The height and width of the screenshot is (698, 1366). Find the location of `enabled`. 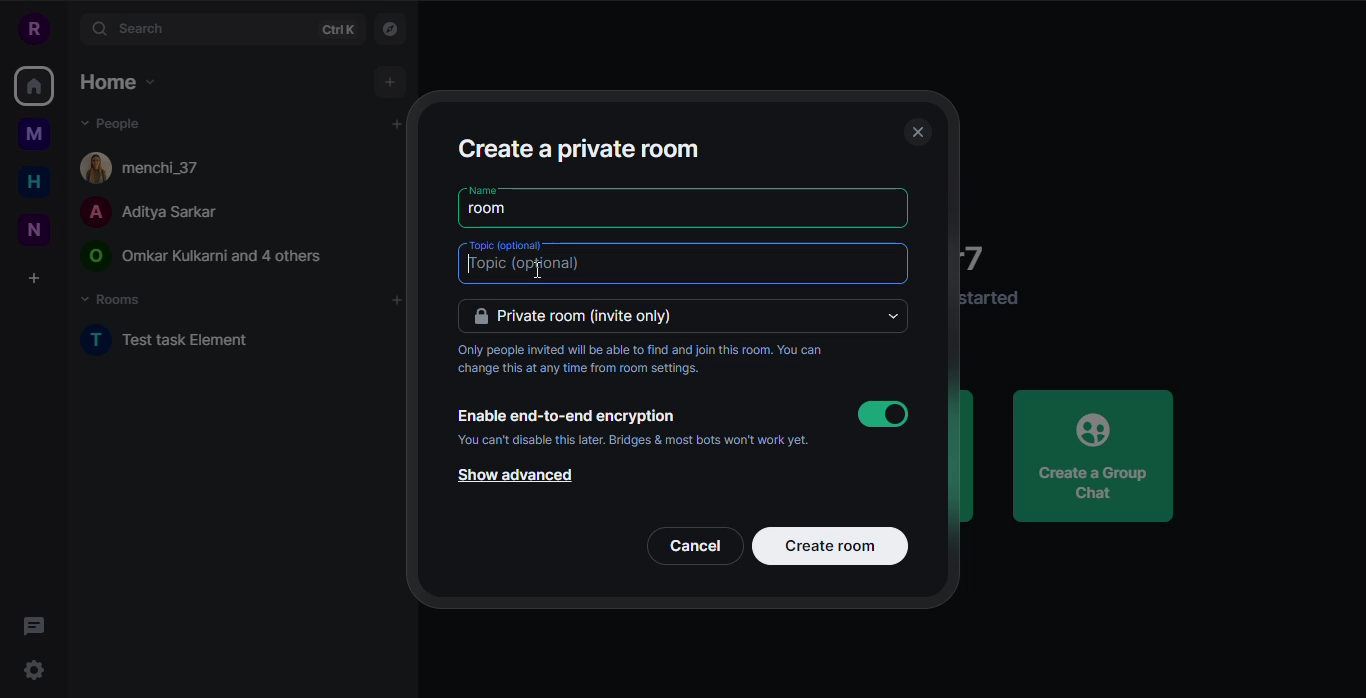

enabled is located at coordinates (883, 414).